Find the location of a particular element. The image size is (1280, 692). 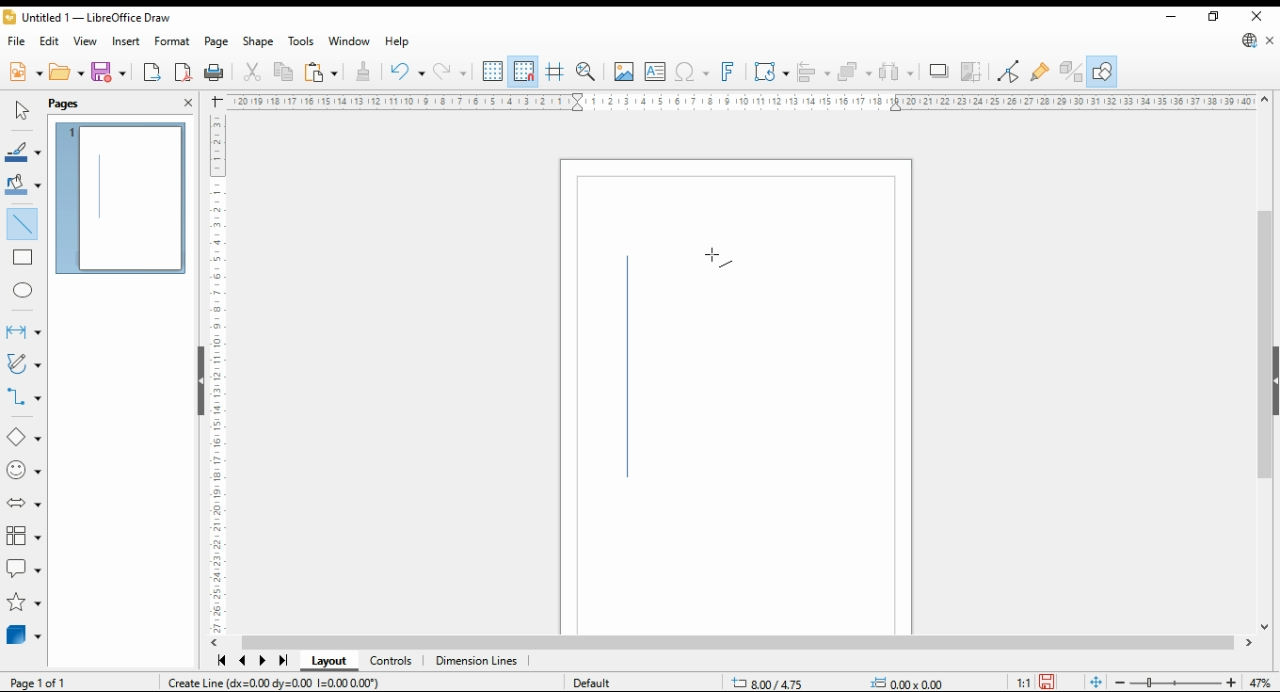

open is located at coordinates (66, 73).